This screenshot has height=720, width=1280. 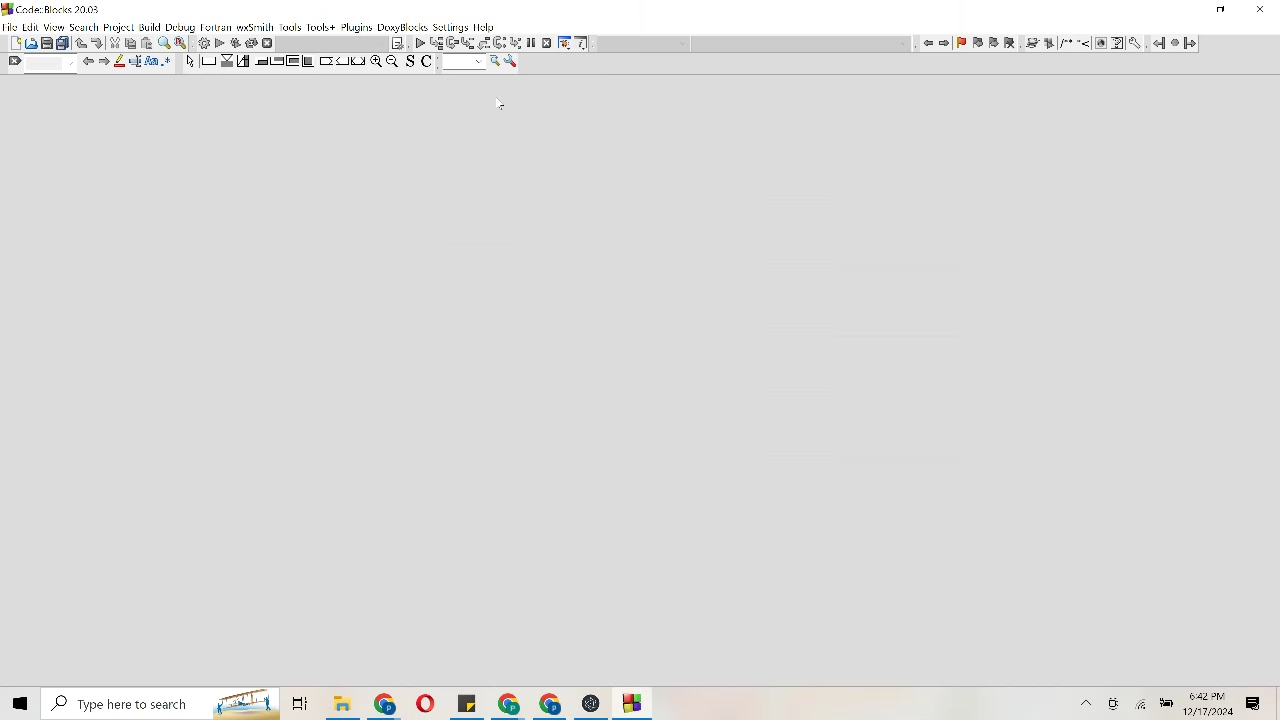 I want to click on Reverse, so click(x=243, y=43).